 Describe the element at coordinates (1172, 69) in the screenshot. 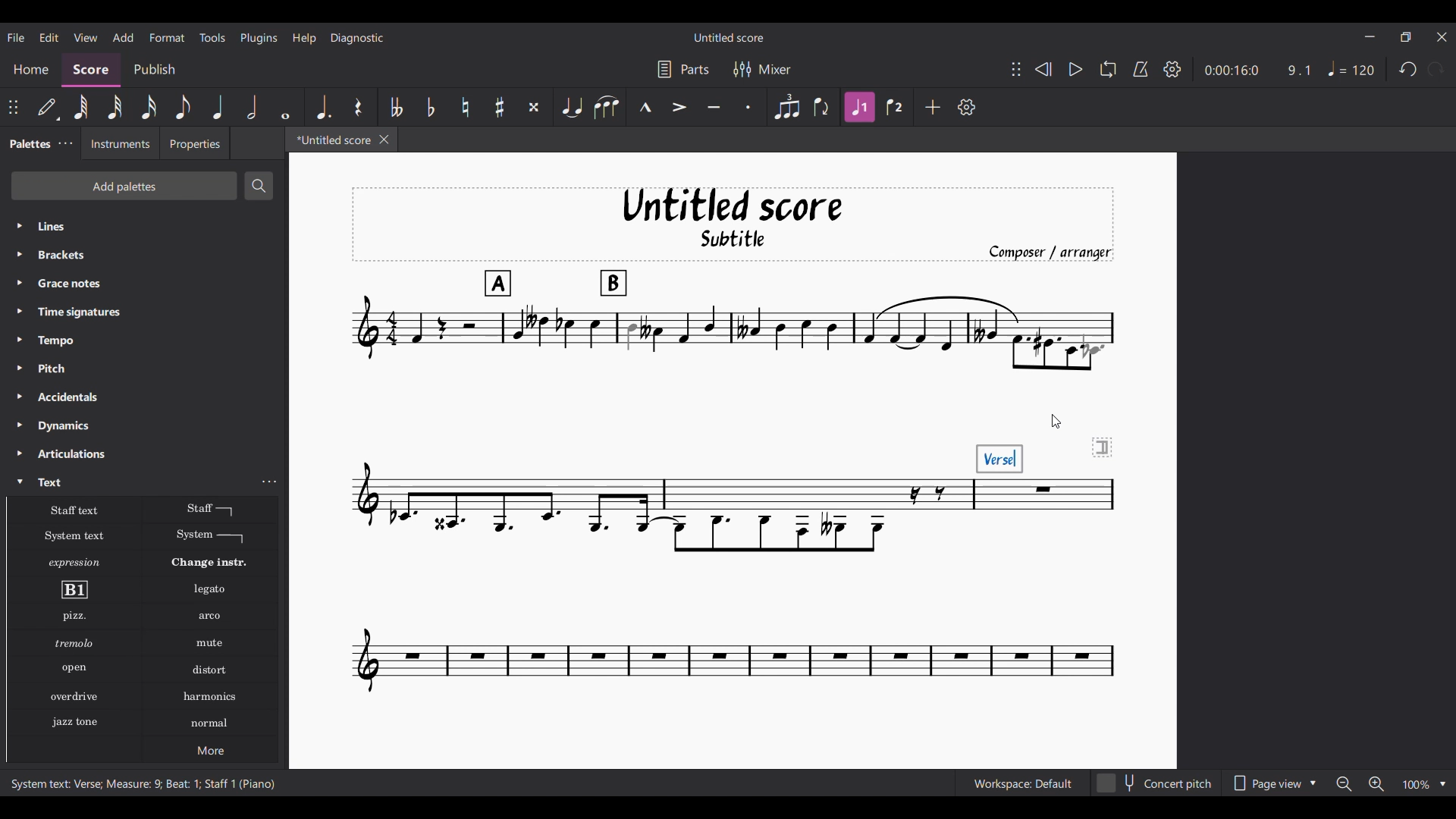

I see `Settings` at that location.